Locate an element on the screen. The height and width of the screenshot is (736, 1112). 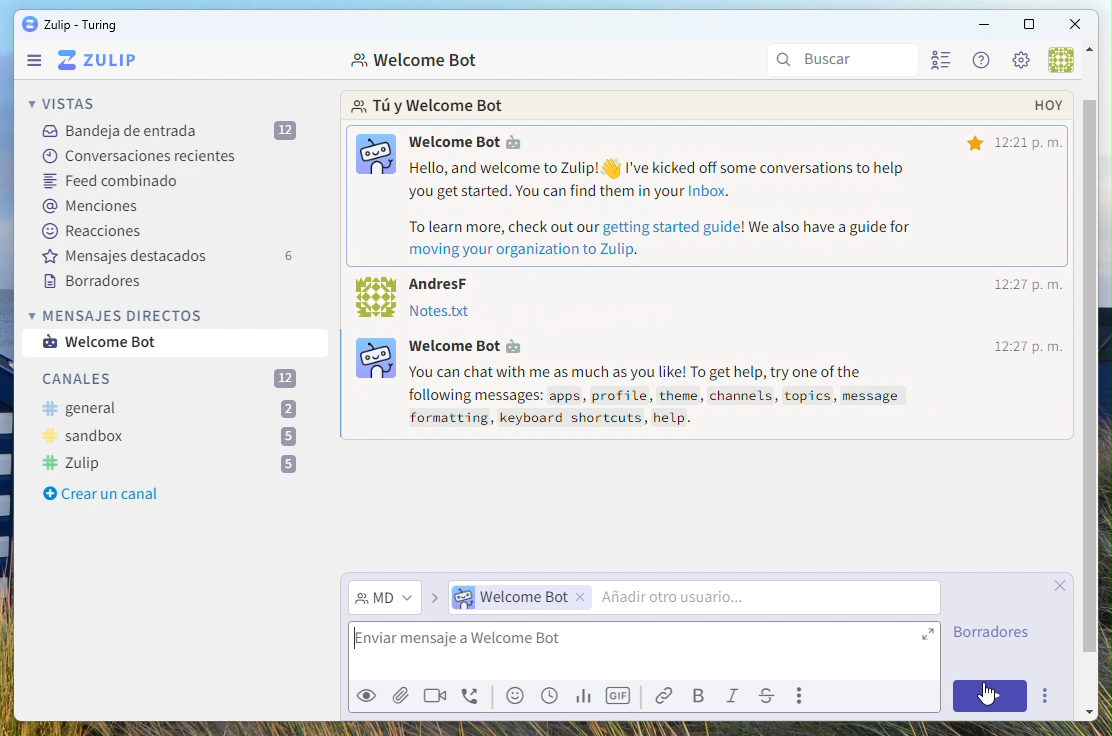
more is located at coordinates (803, 696).